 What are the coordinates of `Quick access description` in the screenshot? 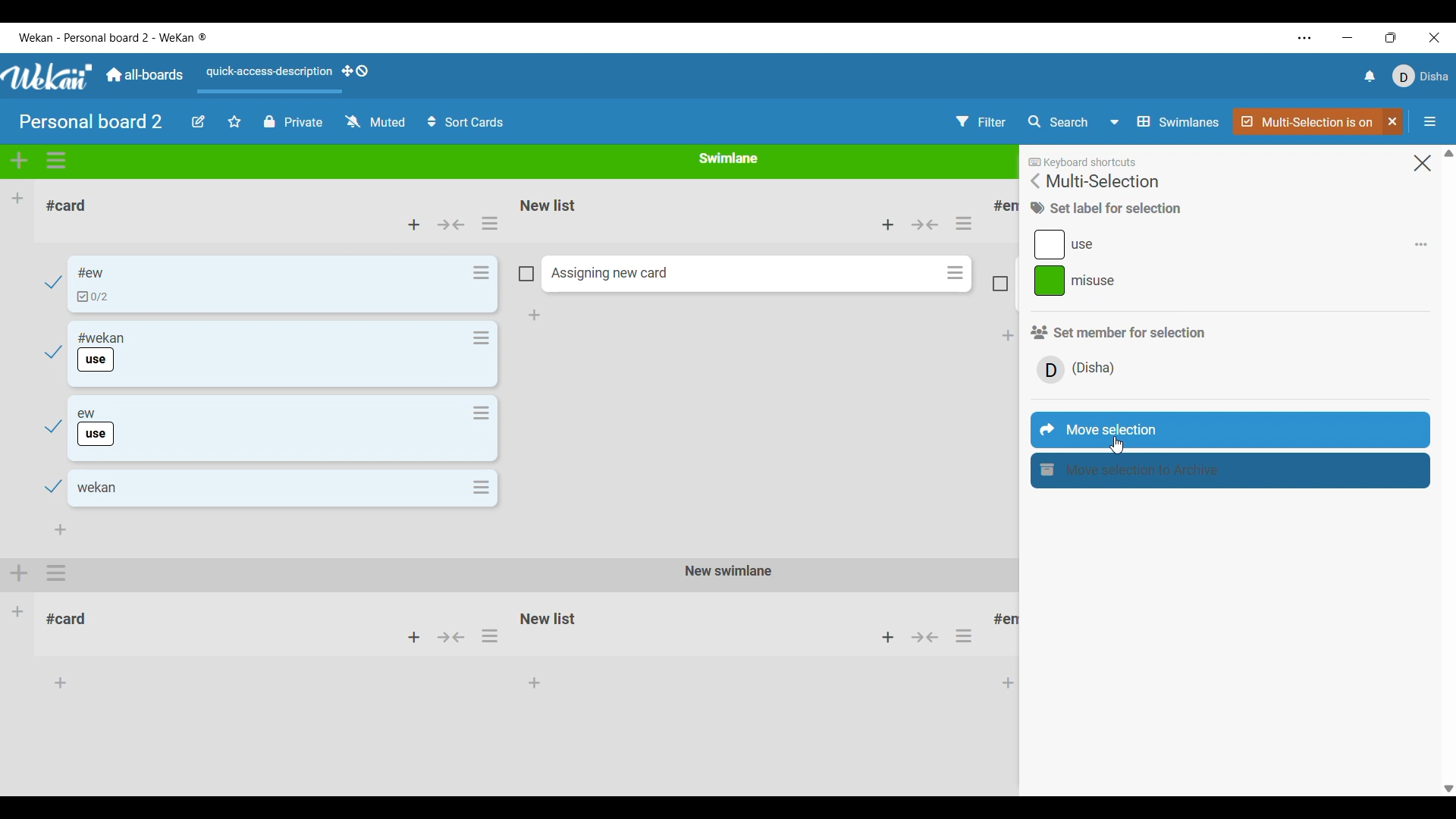 It's located at (267, 78).